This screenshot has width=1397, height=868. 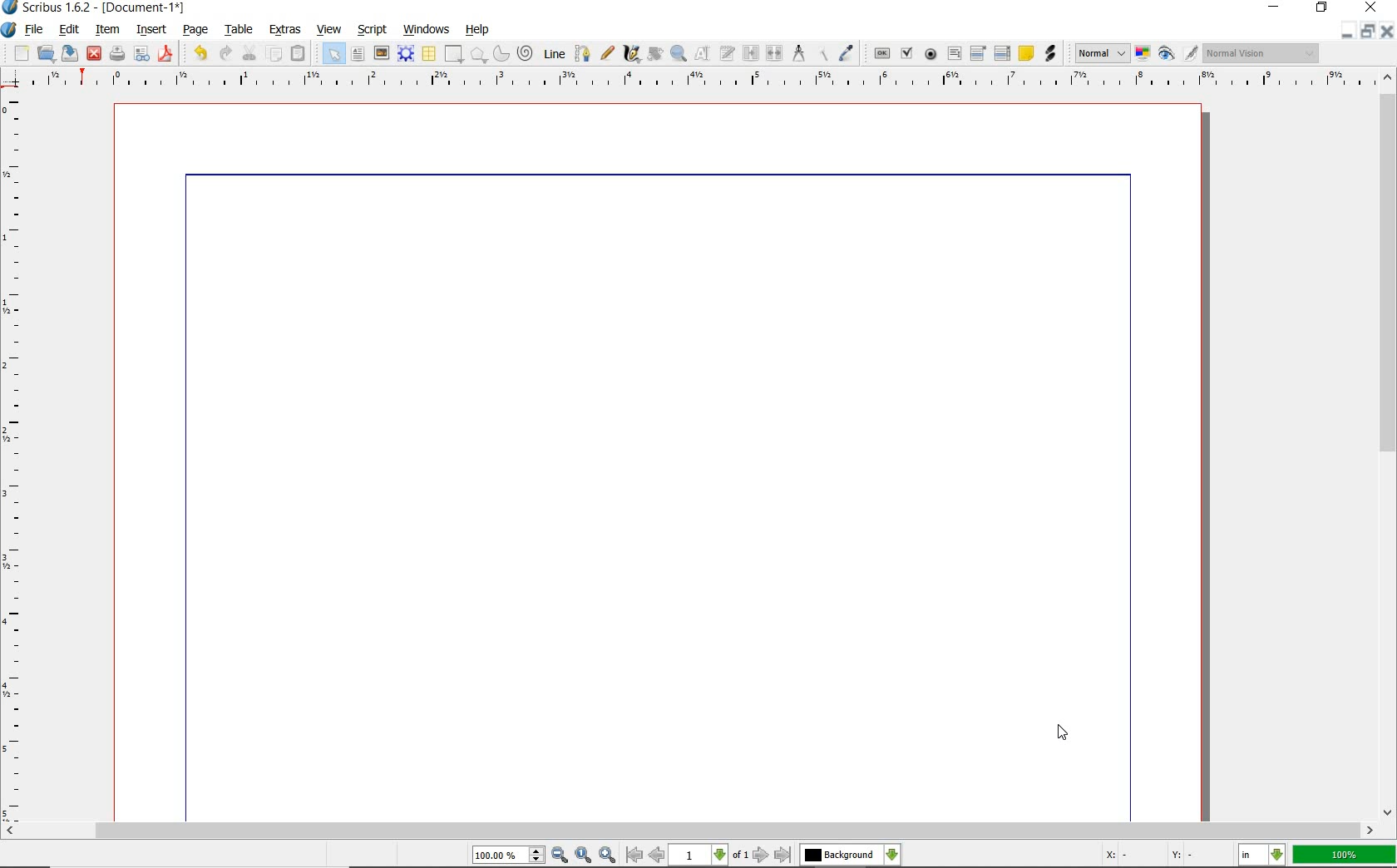 I want to click on system name, so click(x=94, y=8).